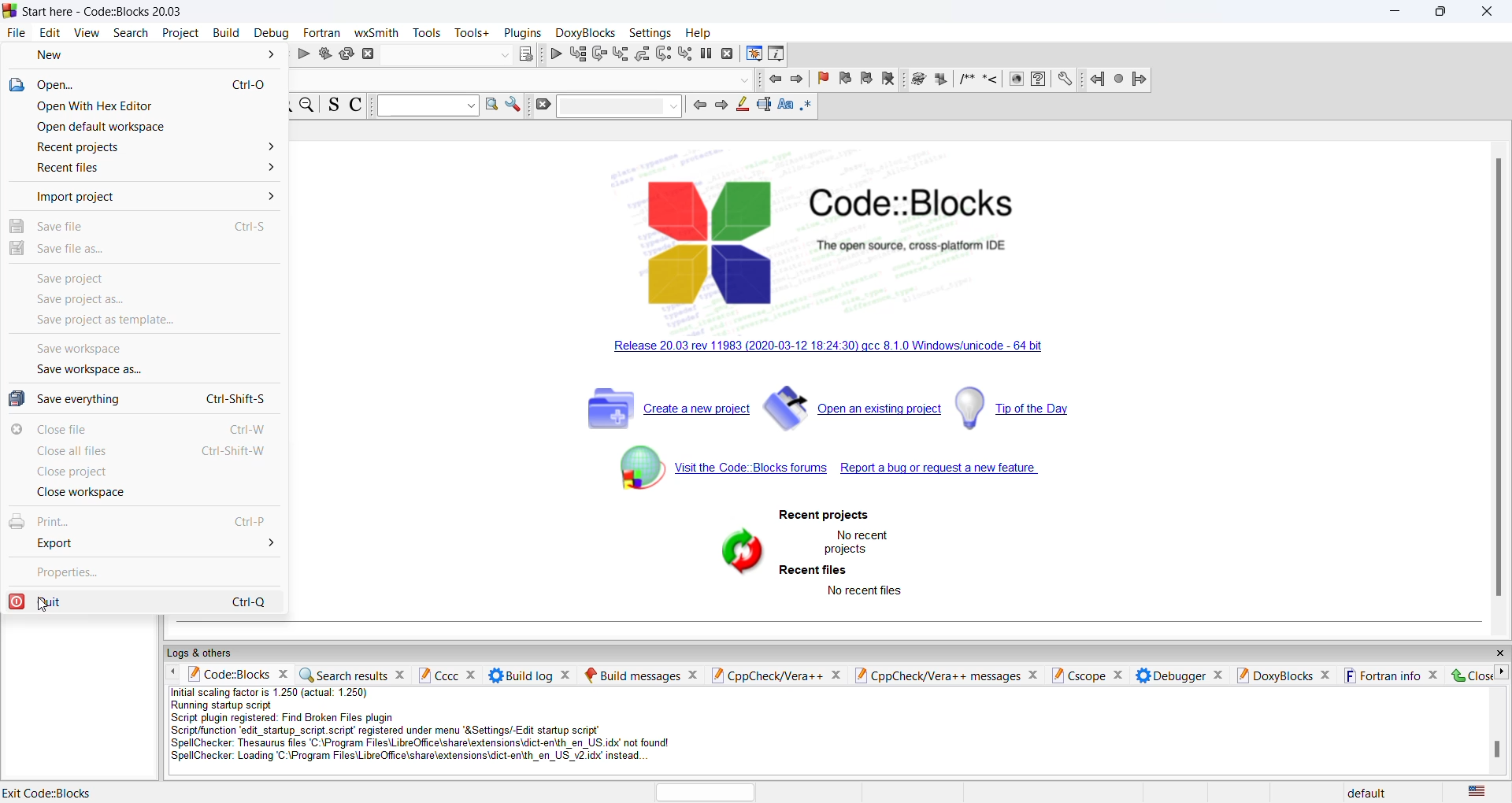 The image size is (1512, 803). What do you see at coordinates (52, 521) in the screenshot?
I see `Print...` at bounding box center [52, 521].